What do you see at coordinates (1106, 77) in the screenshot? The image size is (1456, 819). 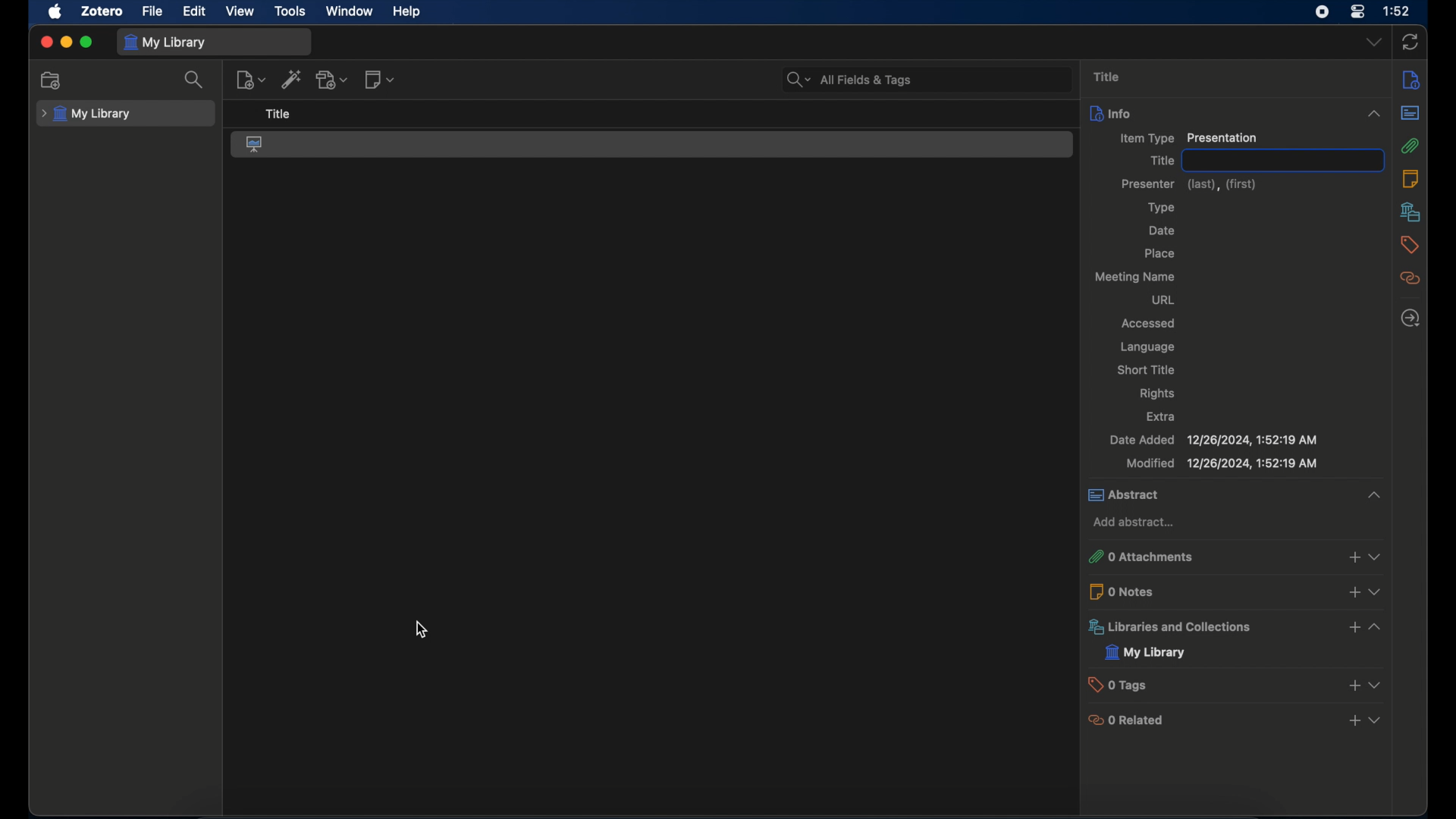 I see `title` at bounding box center [1106, 77].